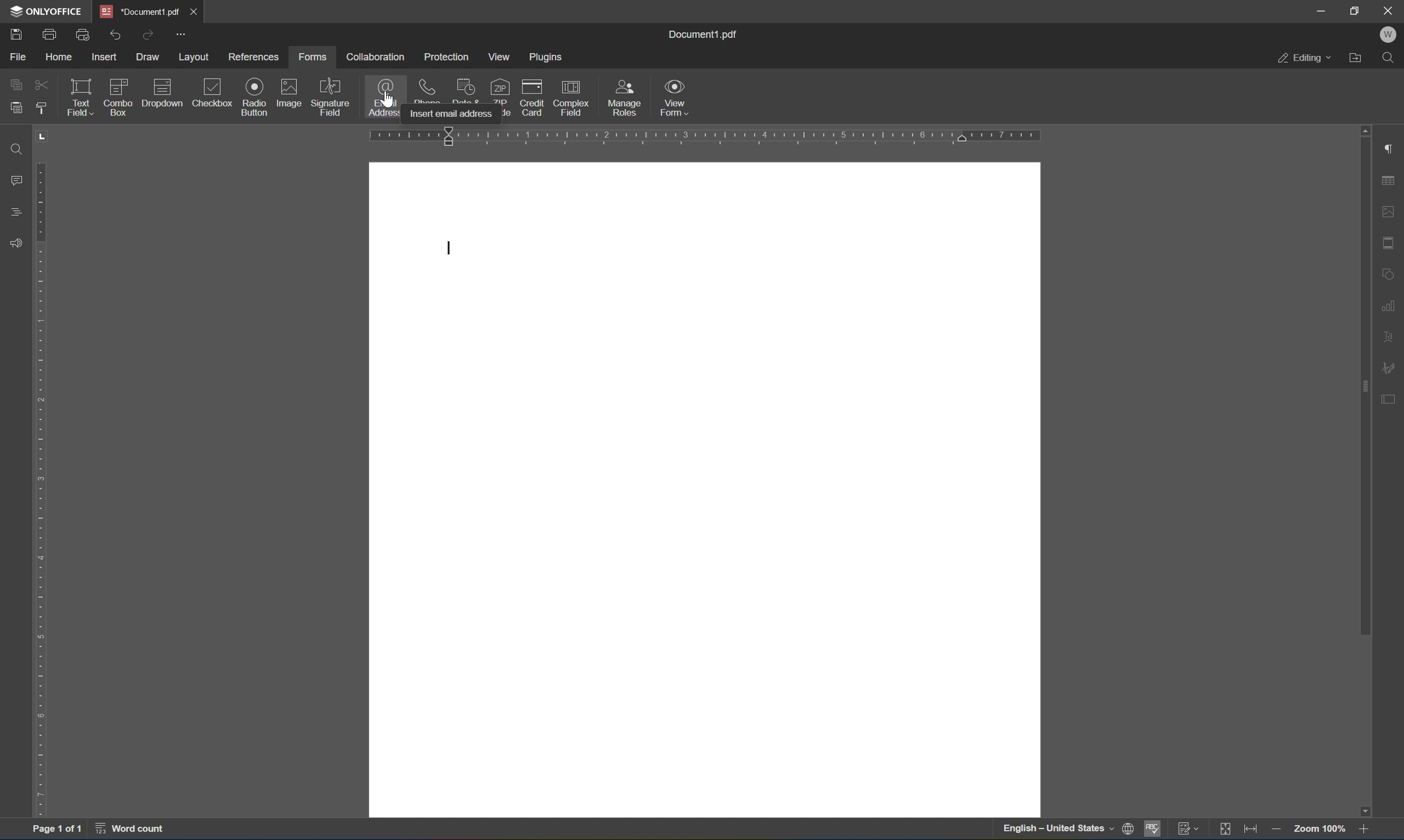 This screenshot has height=840, width=1404. What do you see at coordinates (17, 211) in the screenshot?
I see `headings` at bounding box center [17, 211].